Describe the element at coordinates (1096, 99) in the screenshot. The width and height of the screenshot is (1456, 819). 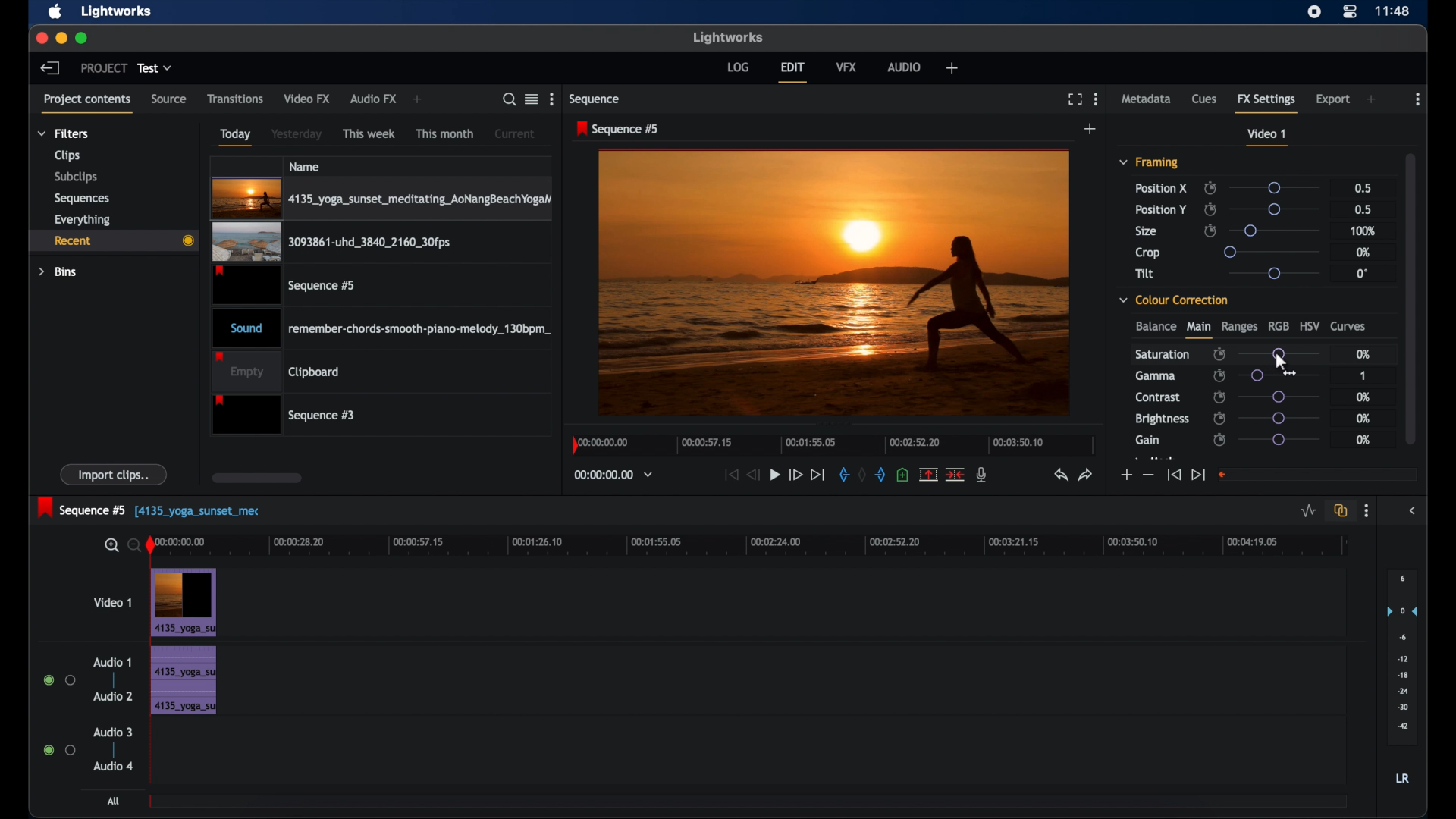
I see `more options` at that location.